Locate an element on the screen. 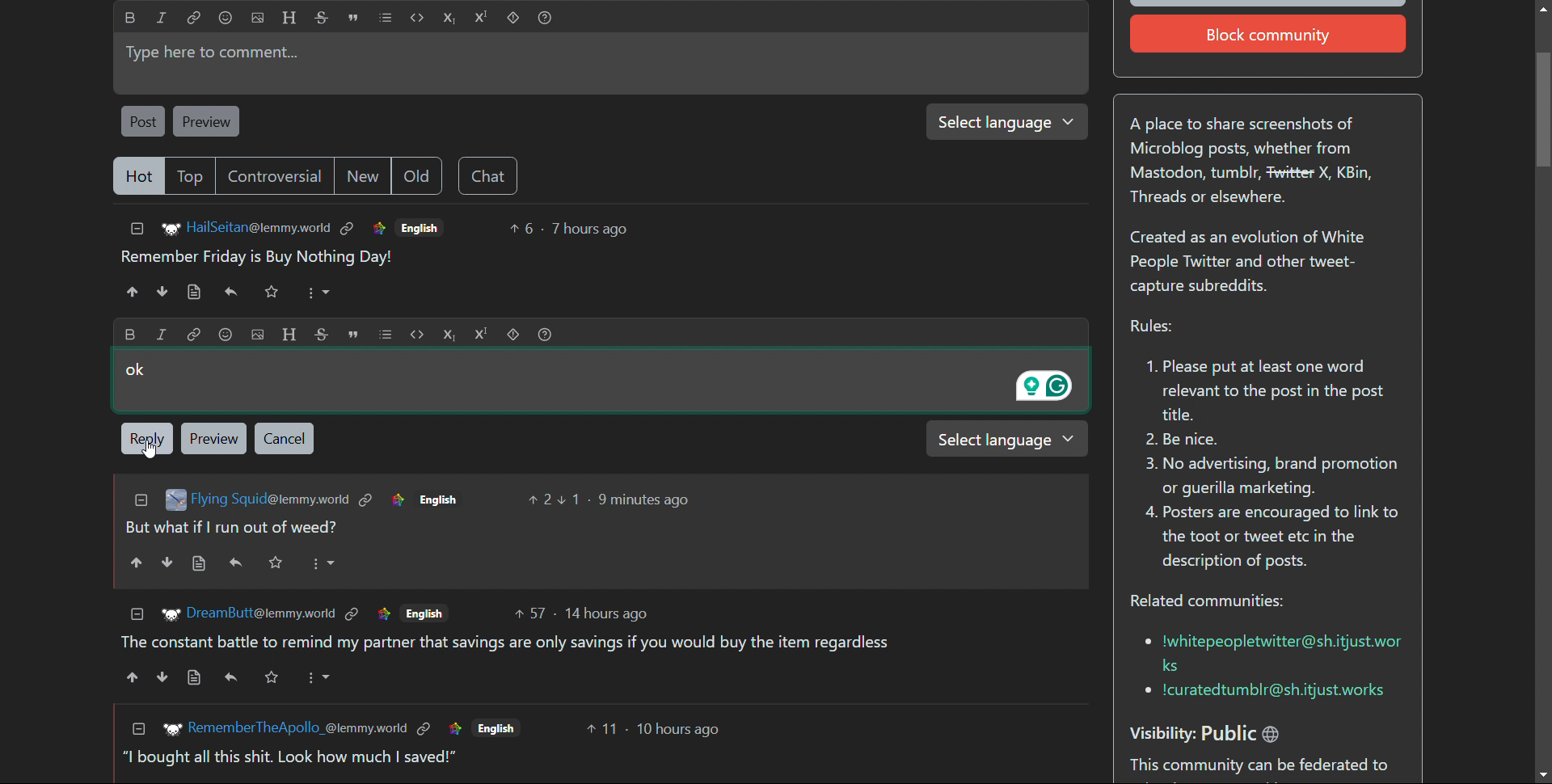 This screenshot has width=1552, height=784. chat is located at coordinates (487, 176).